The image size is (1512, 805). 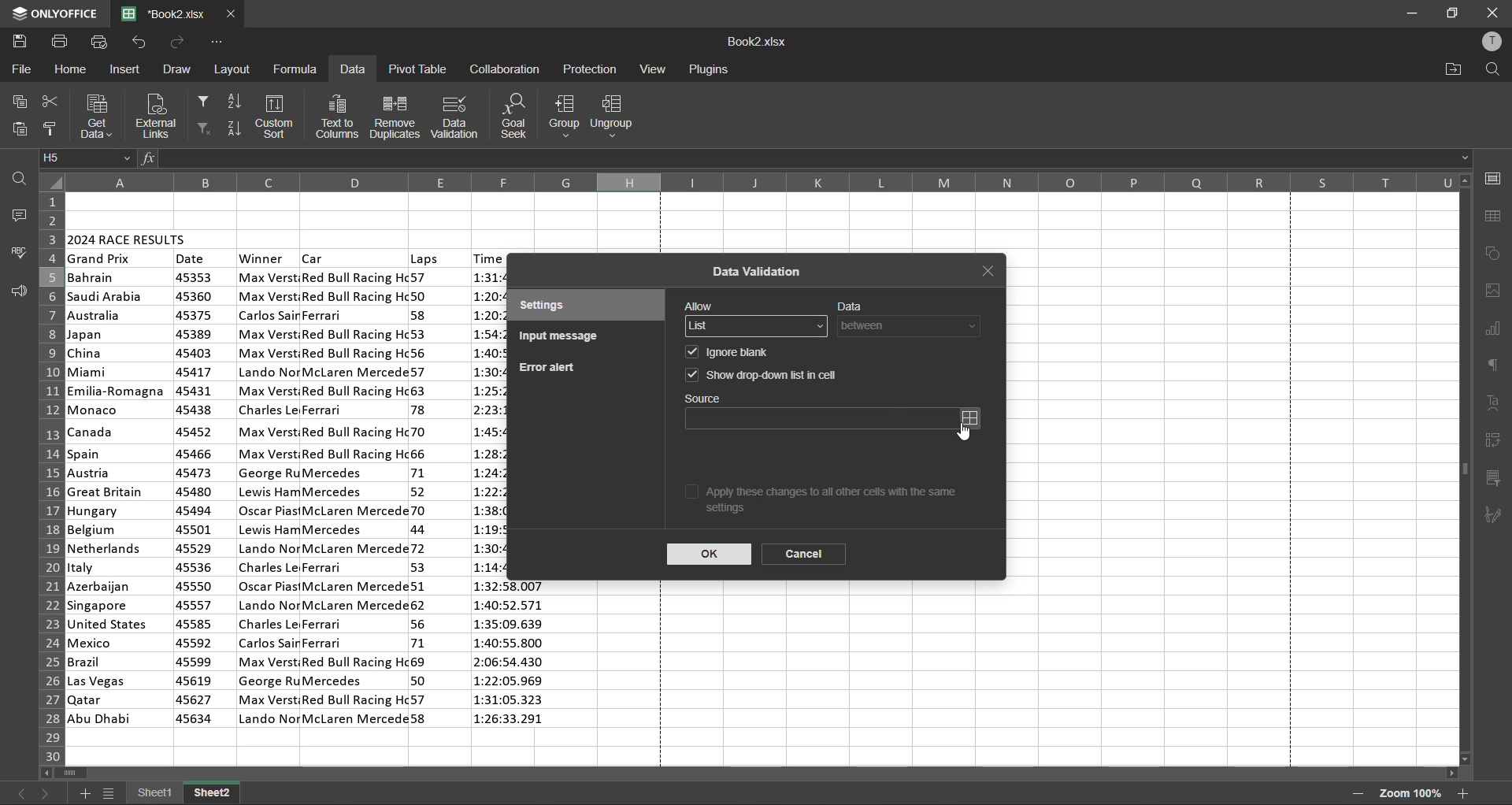 I want to click on sheet names, so click(x=184, y=795).